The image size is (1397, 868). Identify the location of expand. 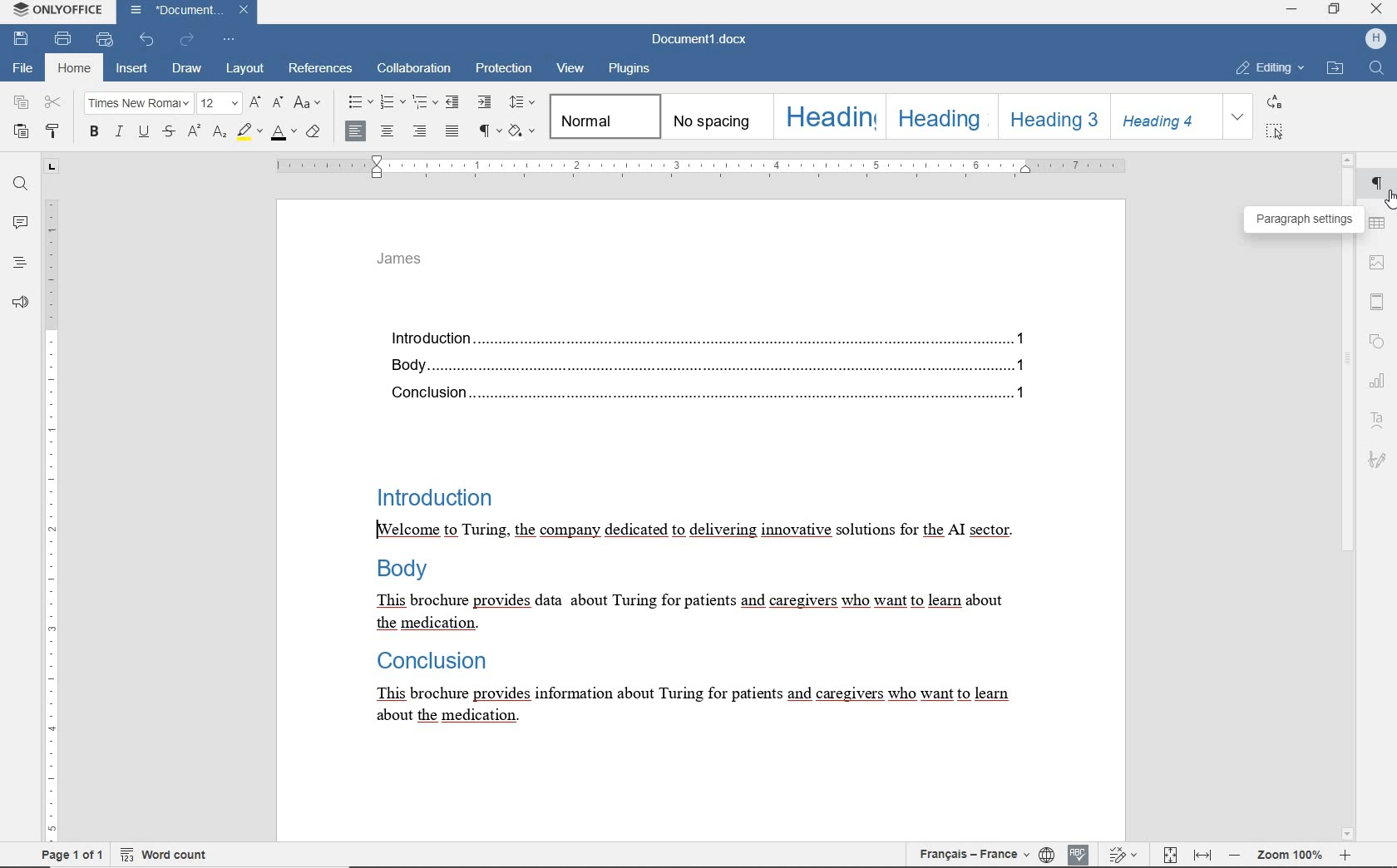
(1237, 118).